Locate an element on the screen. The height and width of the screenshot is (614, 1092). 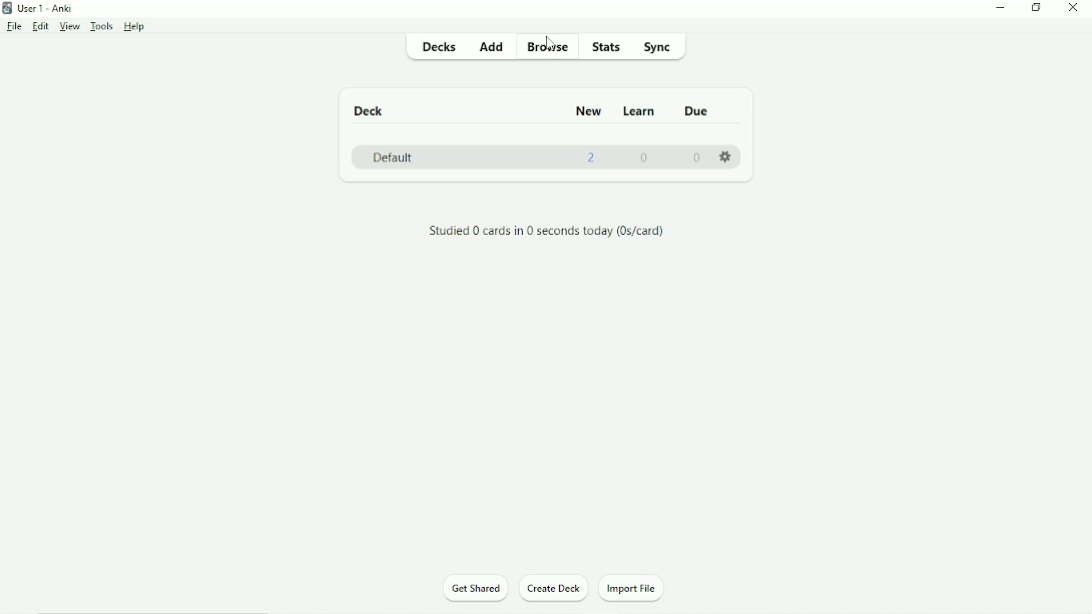
0 is located at coordinates (696, 159).